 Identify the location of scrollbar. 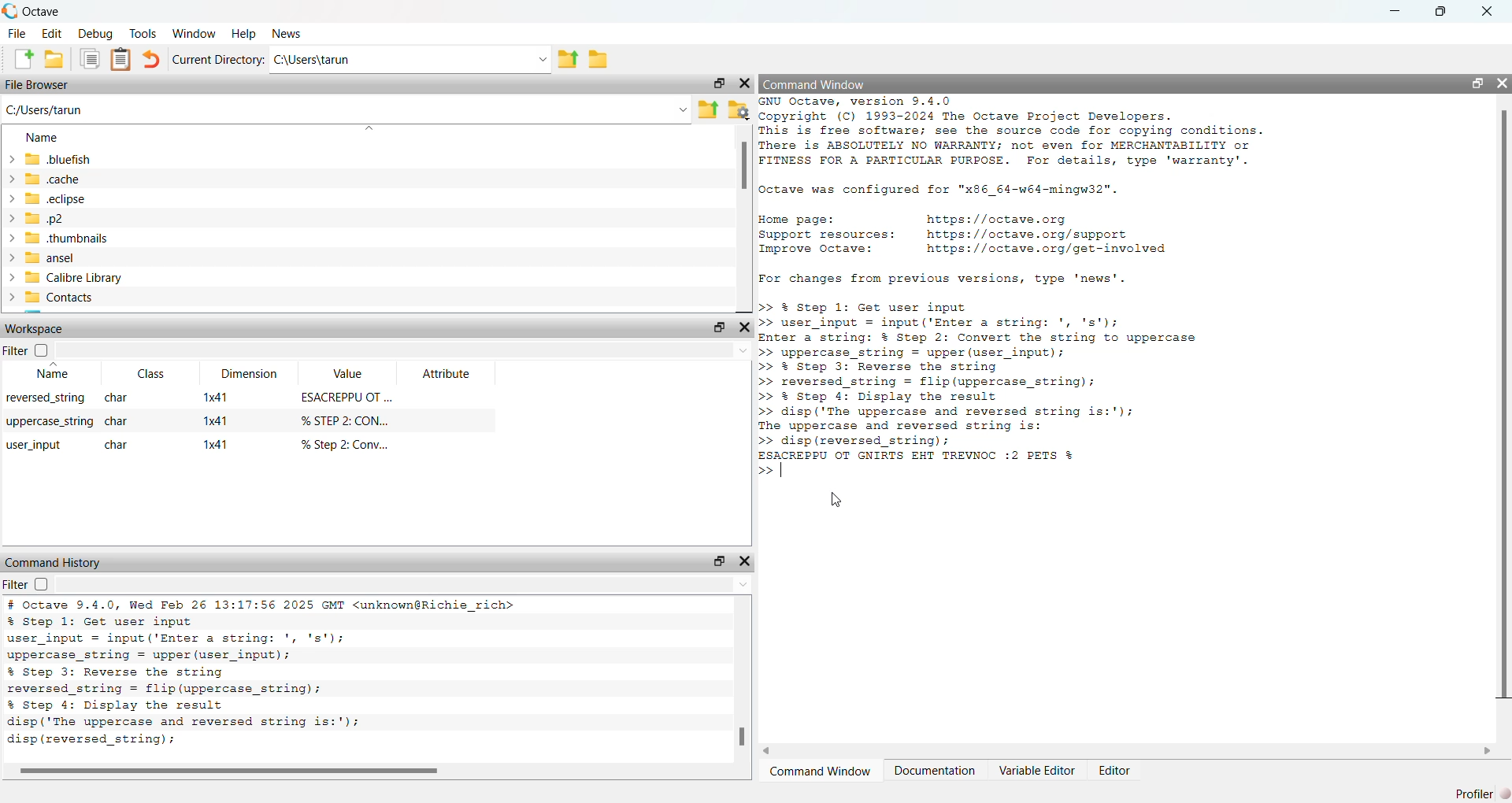
(744, 734).